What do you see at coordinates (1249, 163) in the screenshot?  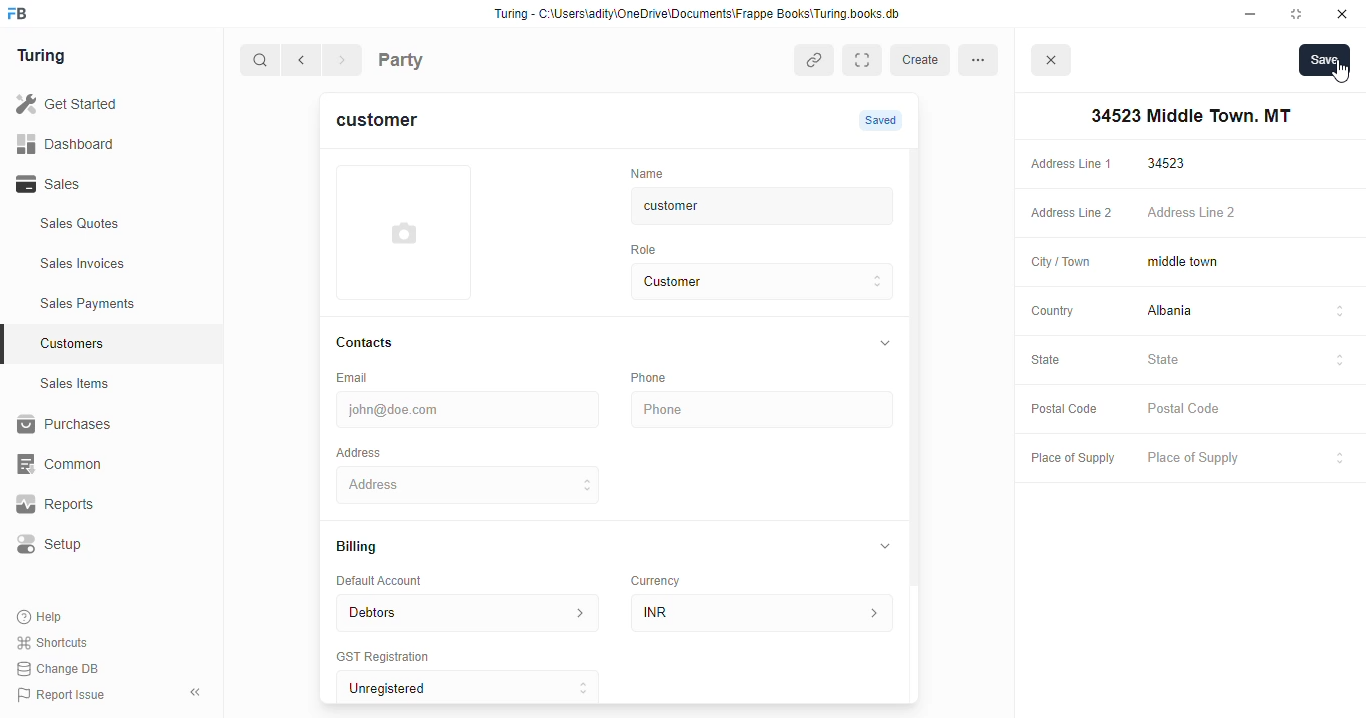 I see `34523` at bounding box center [1249, 163].